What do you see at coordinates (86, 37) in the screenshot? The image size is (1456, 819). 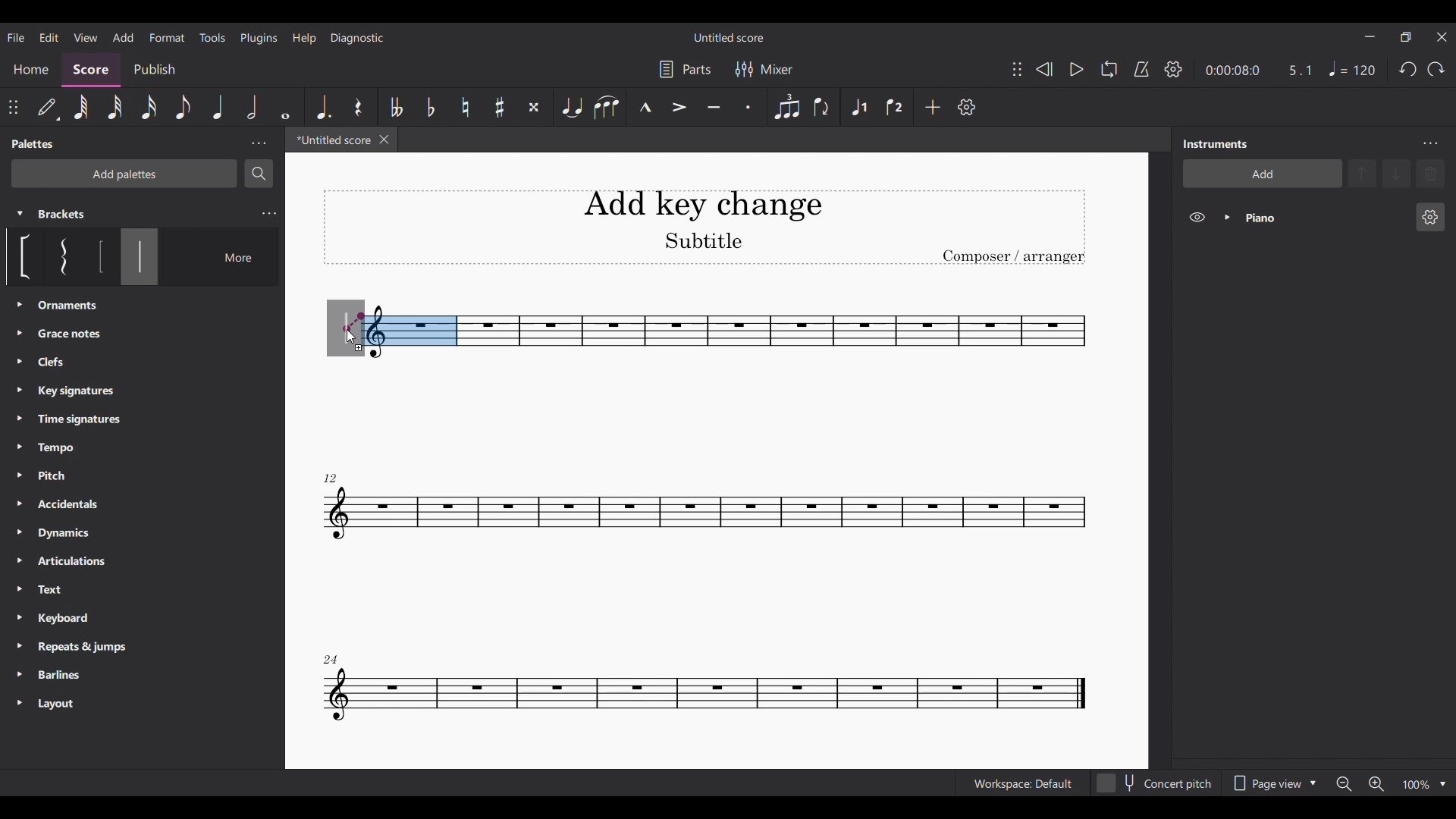 I see `View menu` at bounding box center [86, 37].